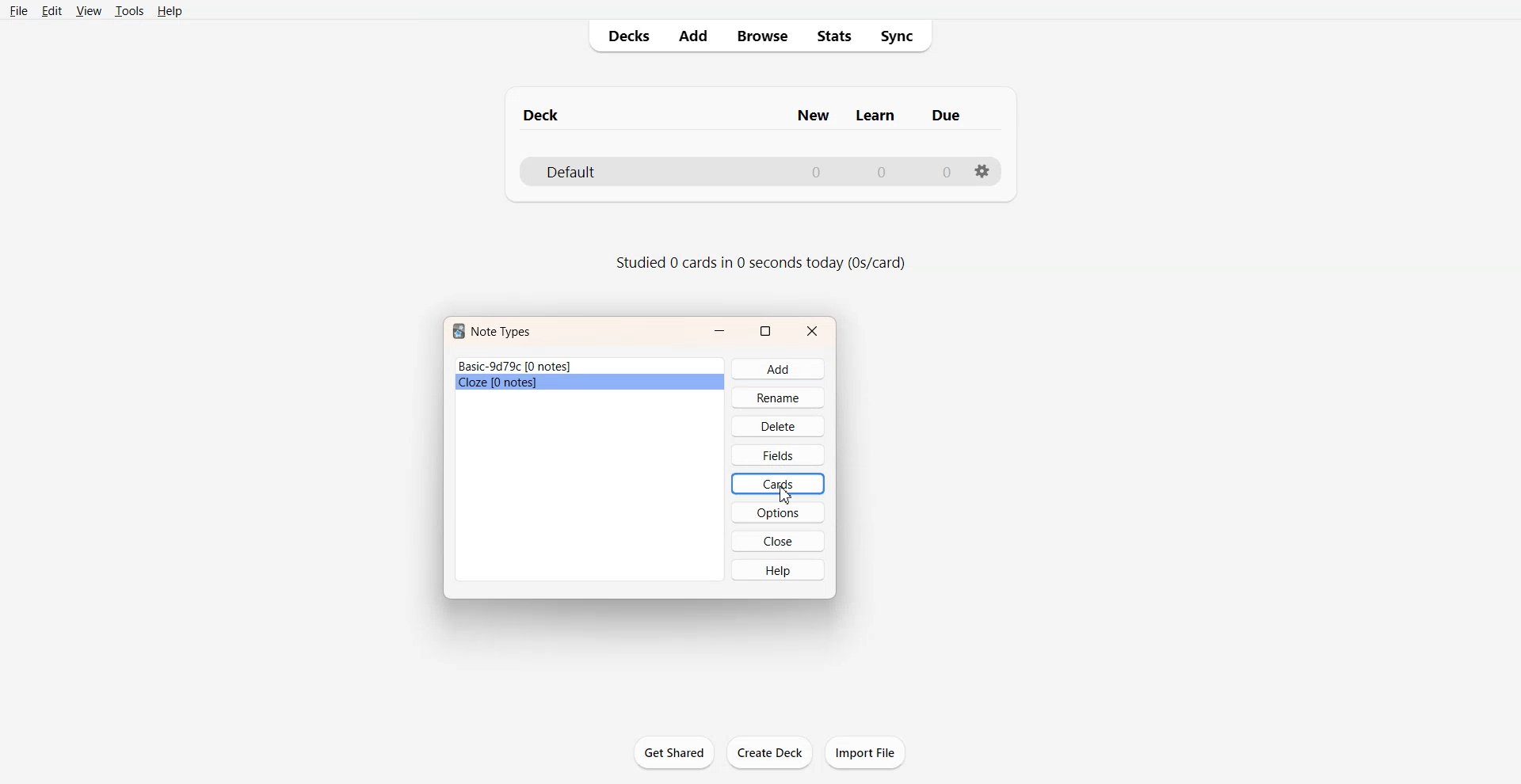 Image resolution: width=1521 pixels, height=784 pixels. I want to click on Help, so click(779, 569).